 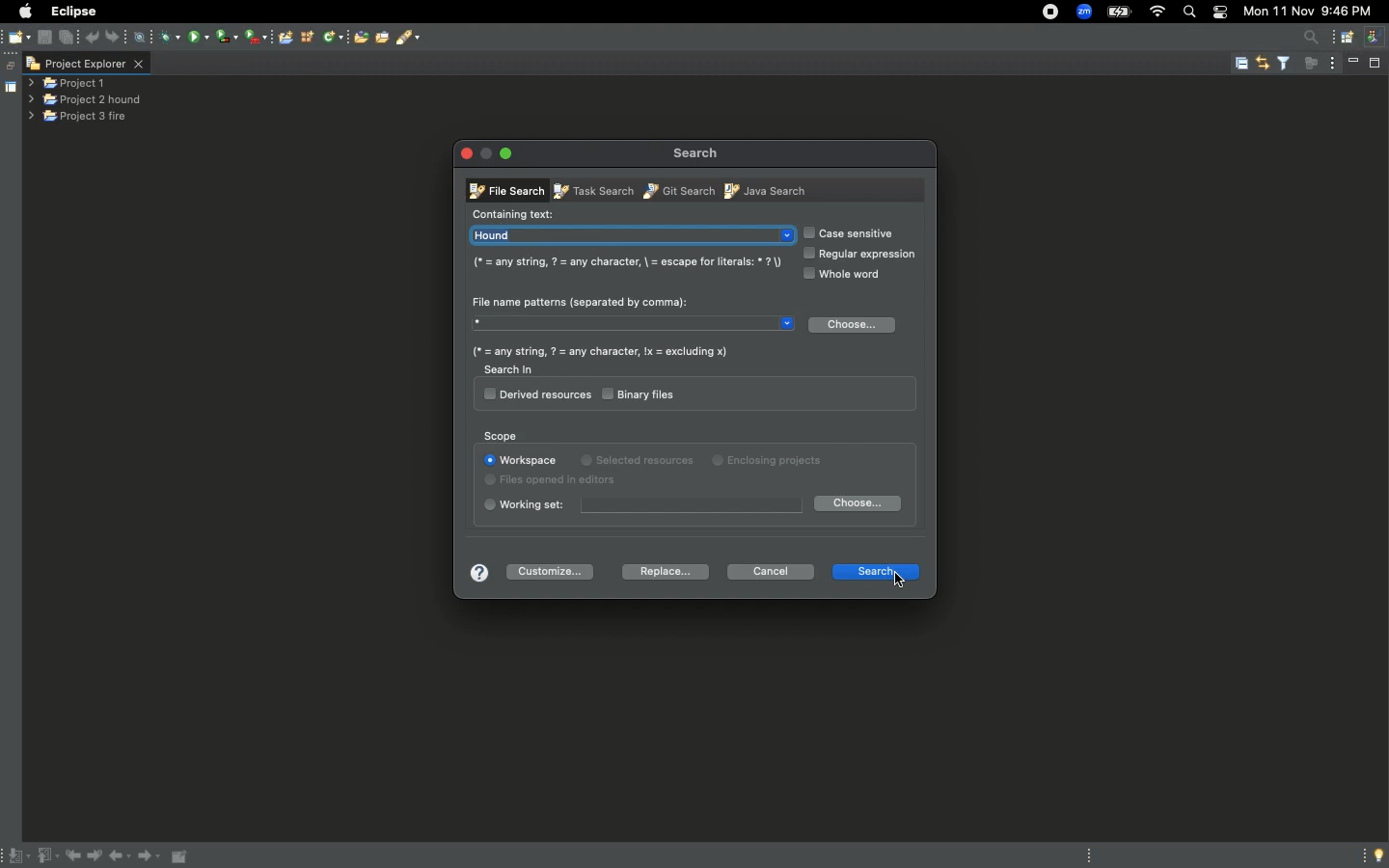 I want to click on File search, so click(x=505, y=192).